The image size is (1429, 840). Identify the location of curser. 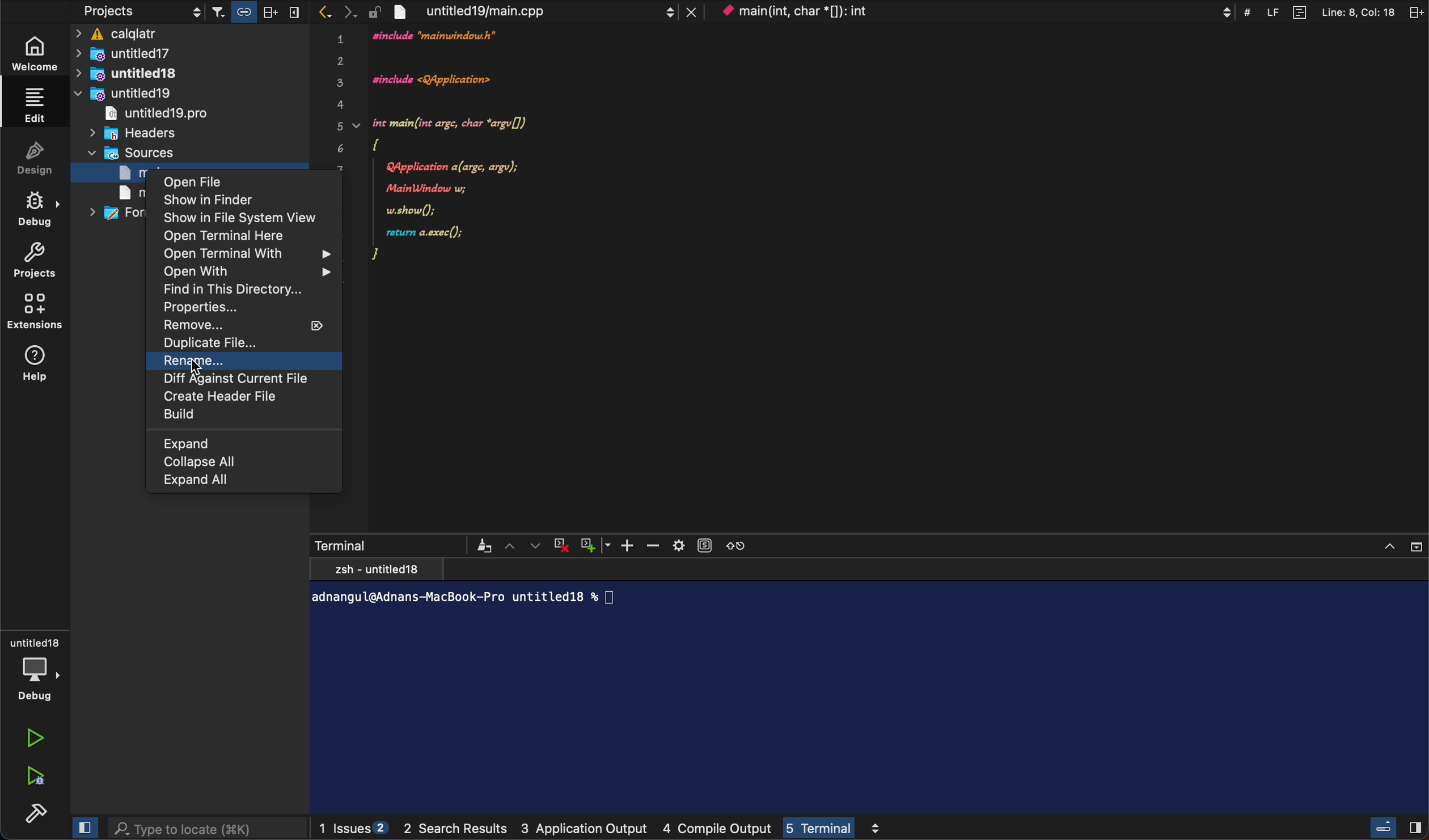
(201, 371).